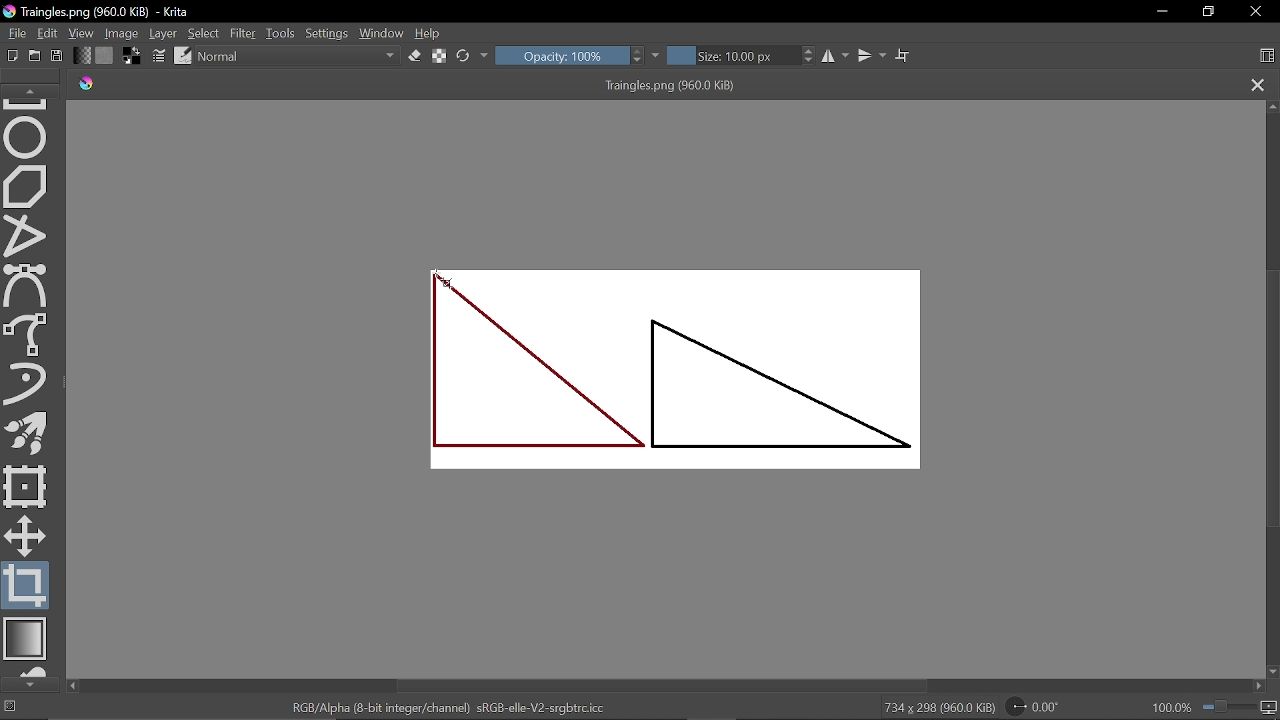  What do you see at coordinates (299, 57) in the screenshot?
I see `Normal` at bounding box center [299, 57].